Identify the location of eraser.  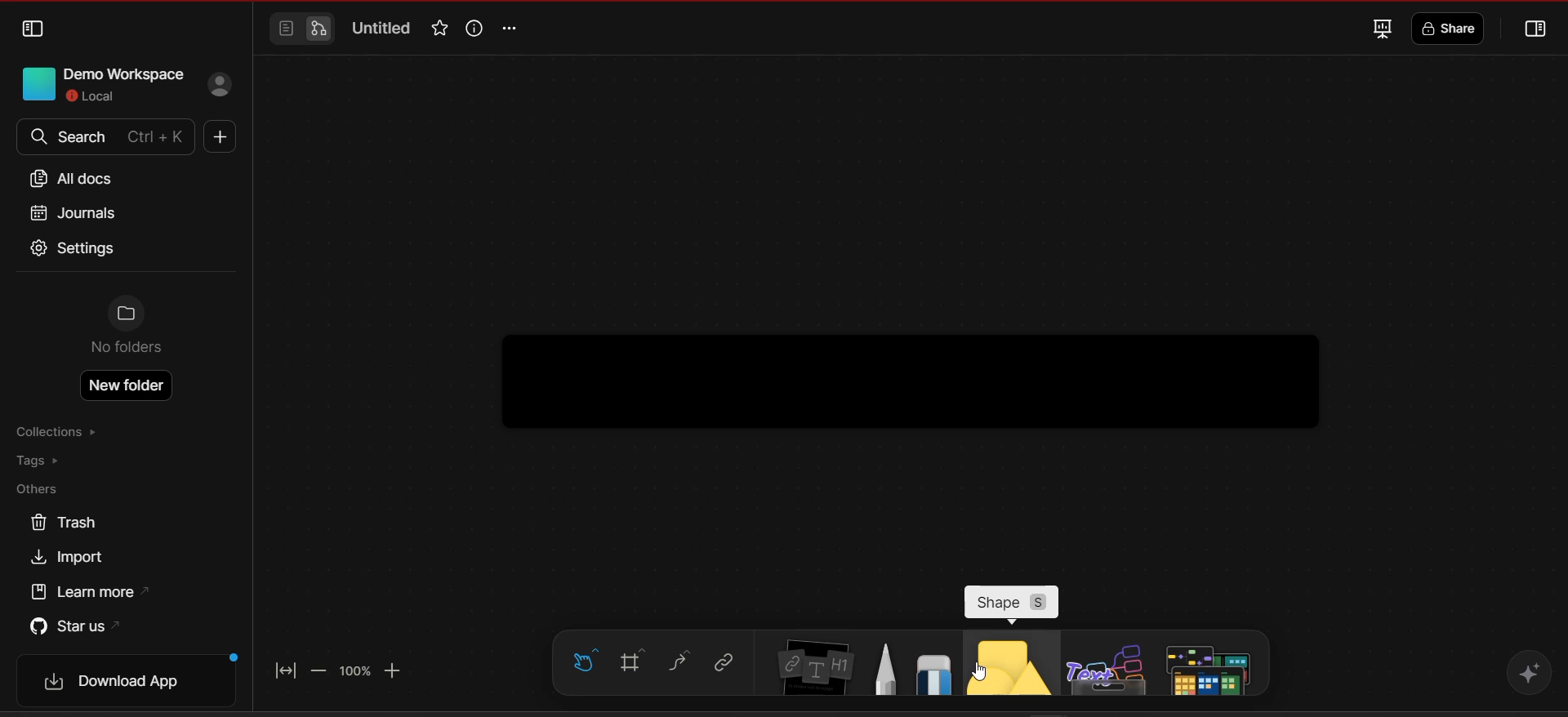
(934, 670).